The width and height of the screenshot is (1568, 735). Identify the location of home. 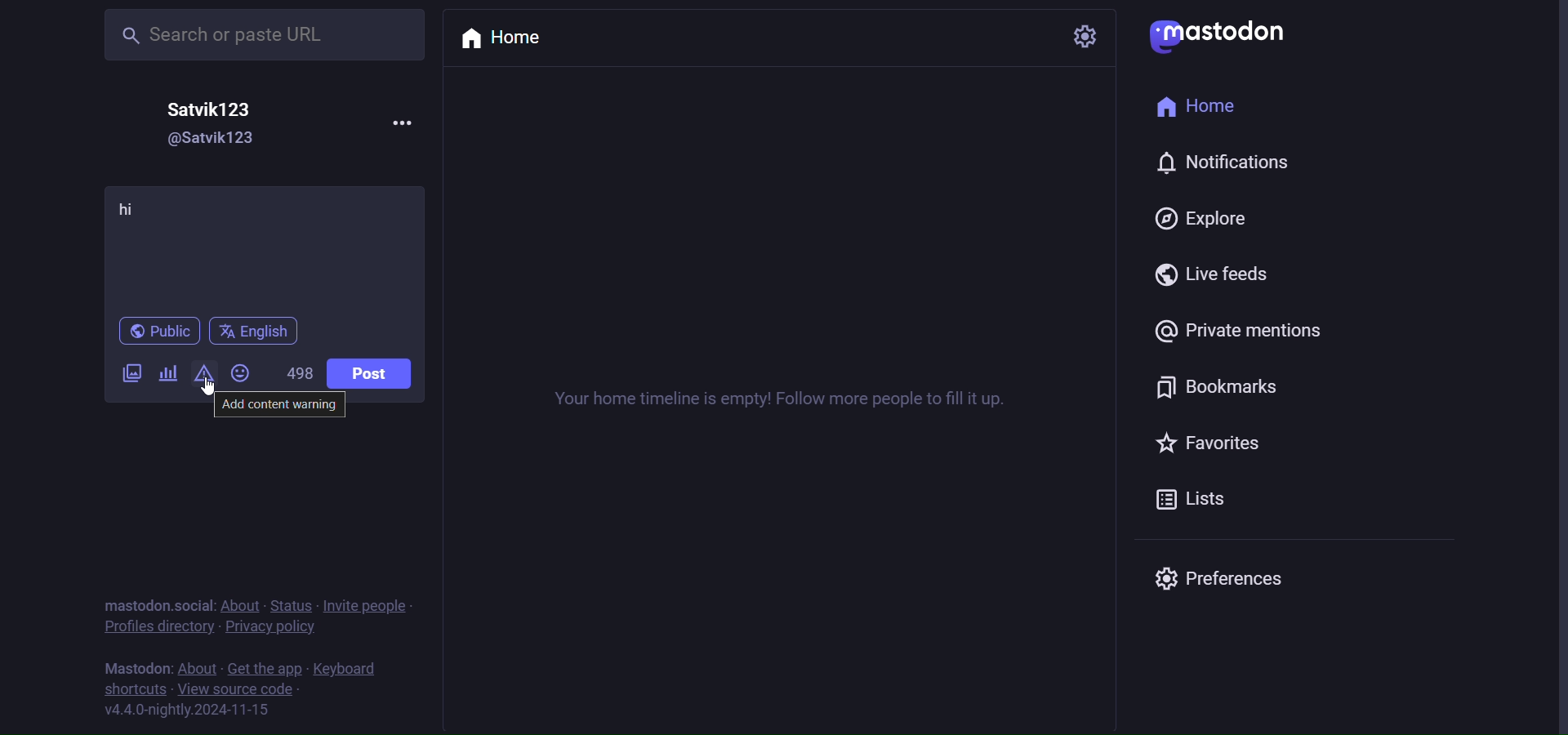
(512, 38).